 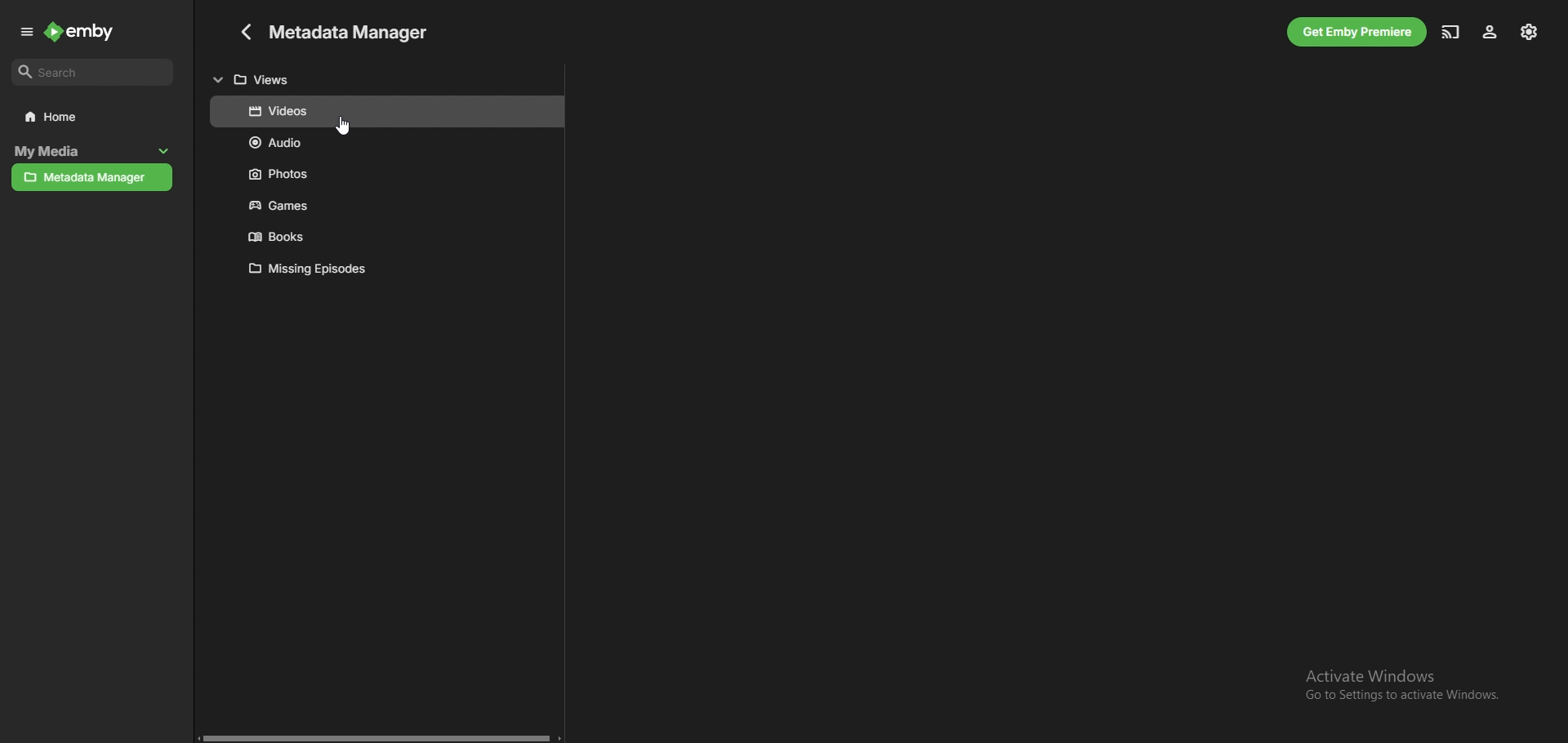 I want to click on get premiere, so click(x=1357, y=32).